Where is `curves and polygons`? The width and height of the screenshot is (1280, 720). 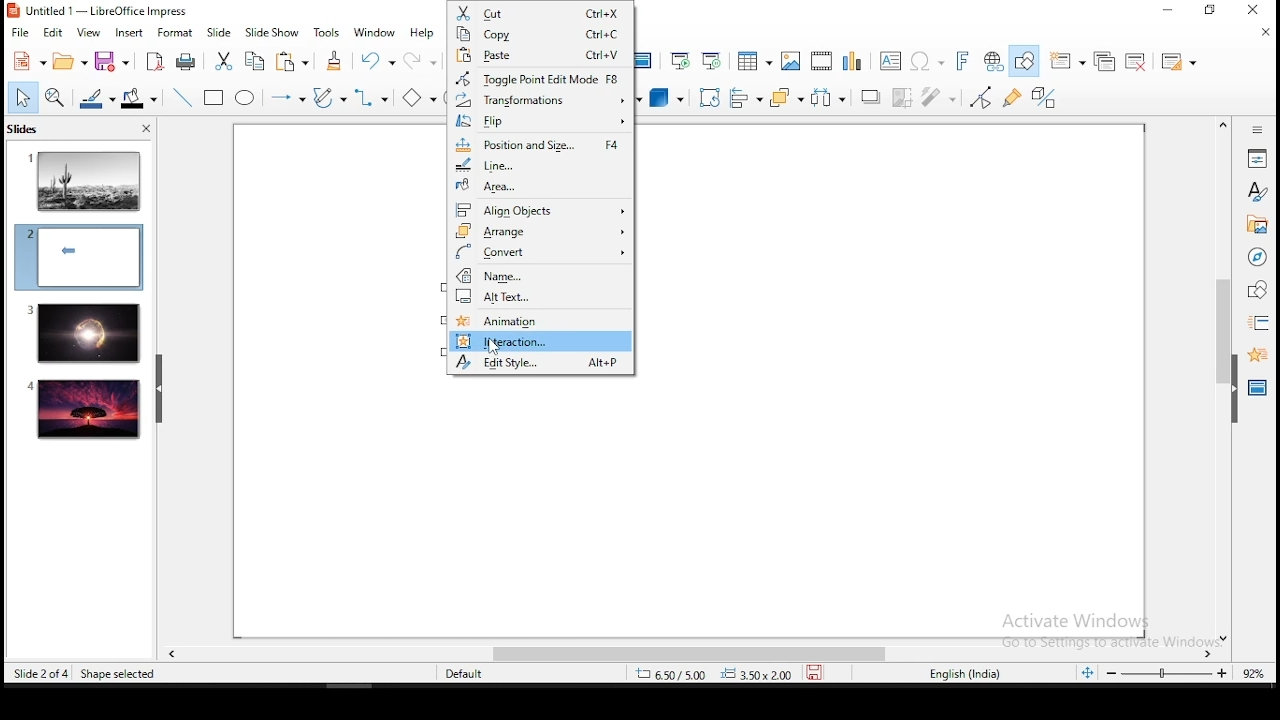
curves and polygons is located at coordinates (328, 98).